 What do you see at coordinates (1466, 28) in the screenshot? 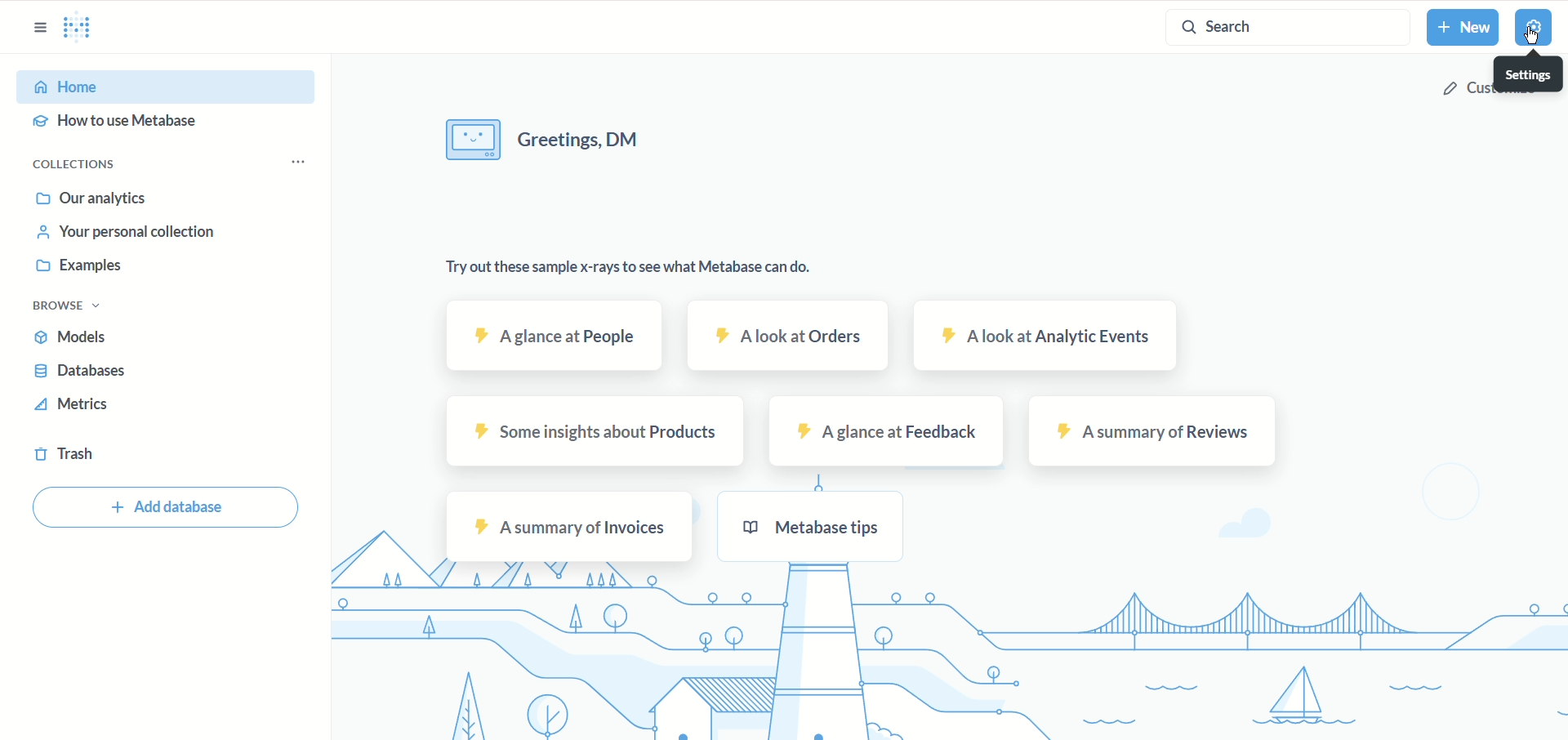
I see `New` at bounding box center [1466, 28].